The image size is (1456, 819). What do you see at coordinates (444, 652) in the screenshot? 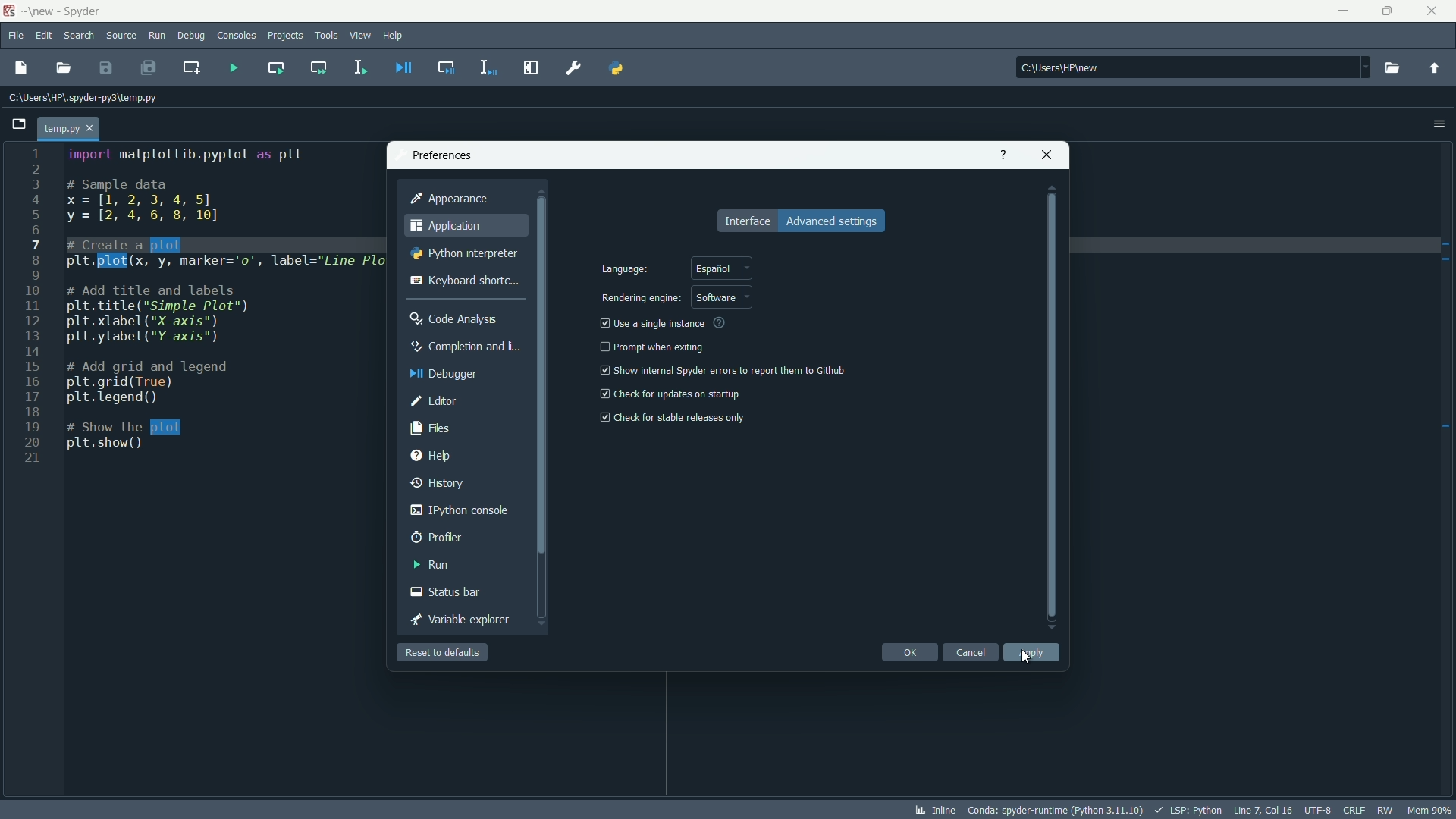
I see `reset to defaults` at bounding box center [444, 652].